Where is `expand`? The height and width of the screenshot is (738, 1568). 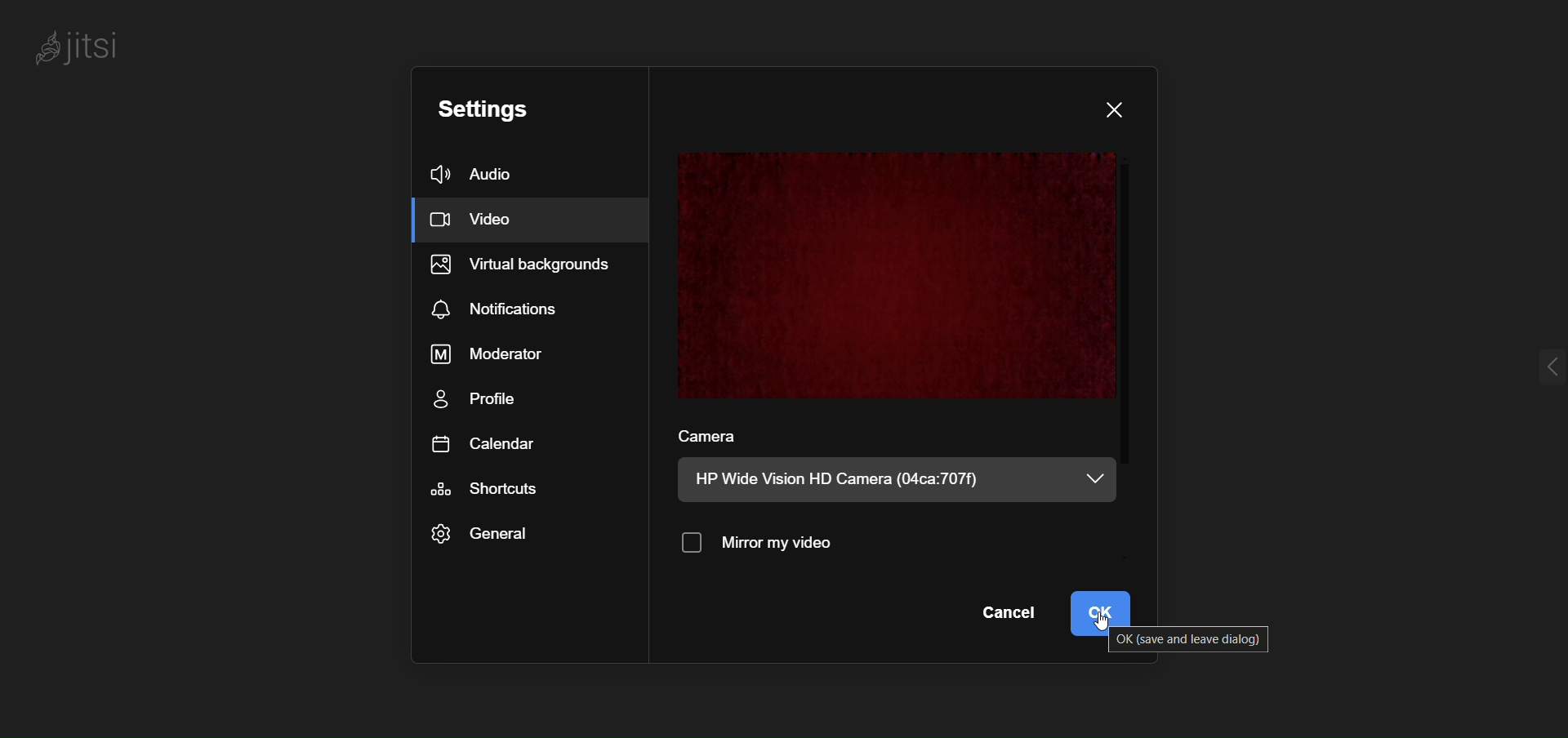
expand is located at coordinates (1539, 370).